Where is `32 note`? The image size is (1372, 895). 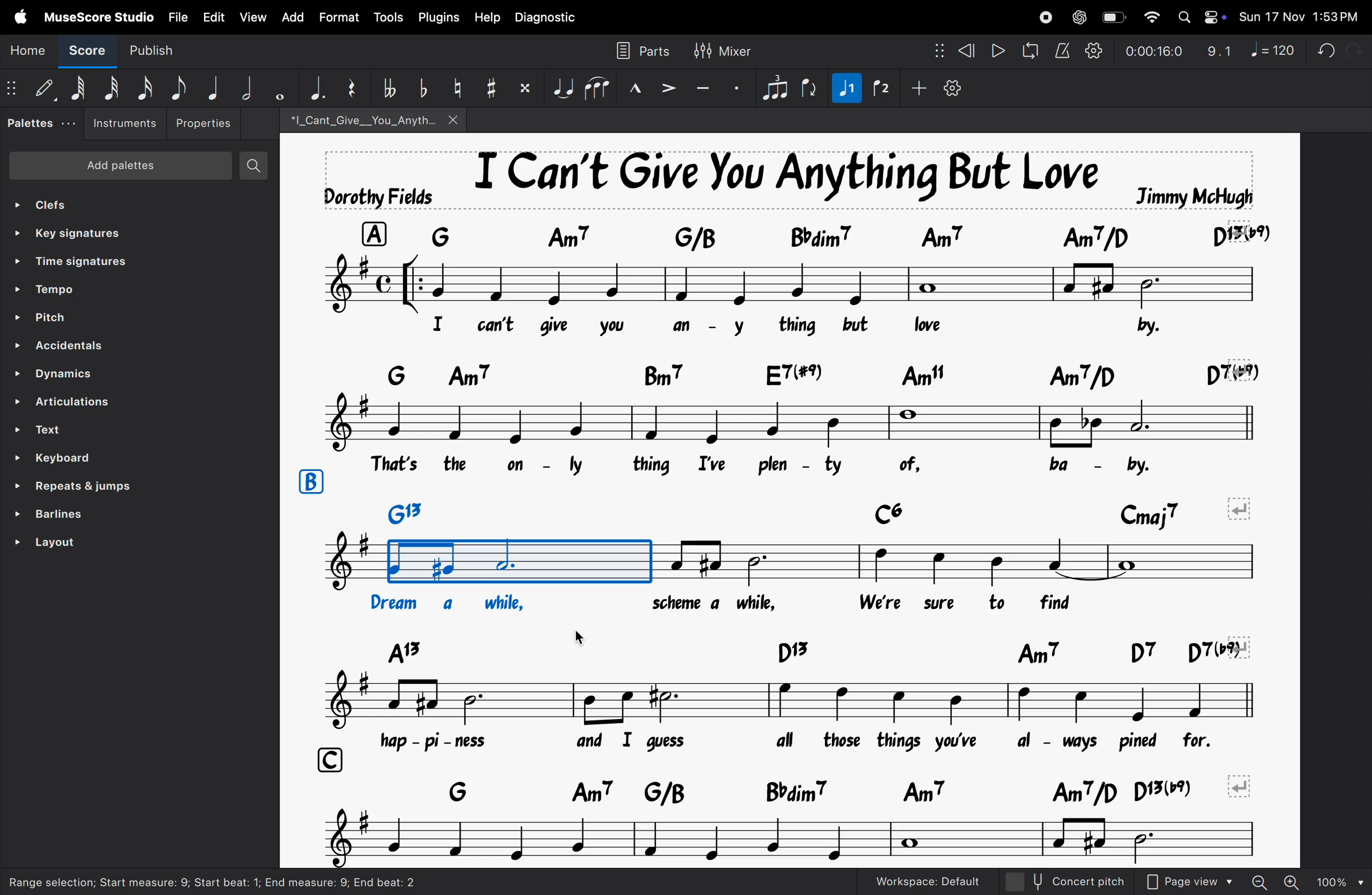
32 note is located at coordinates (112, 89).